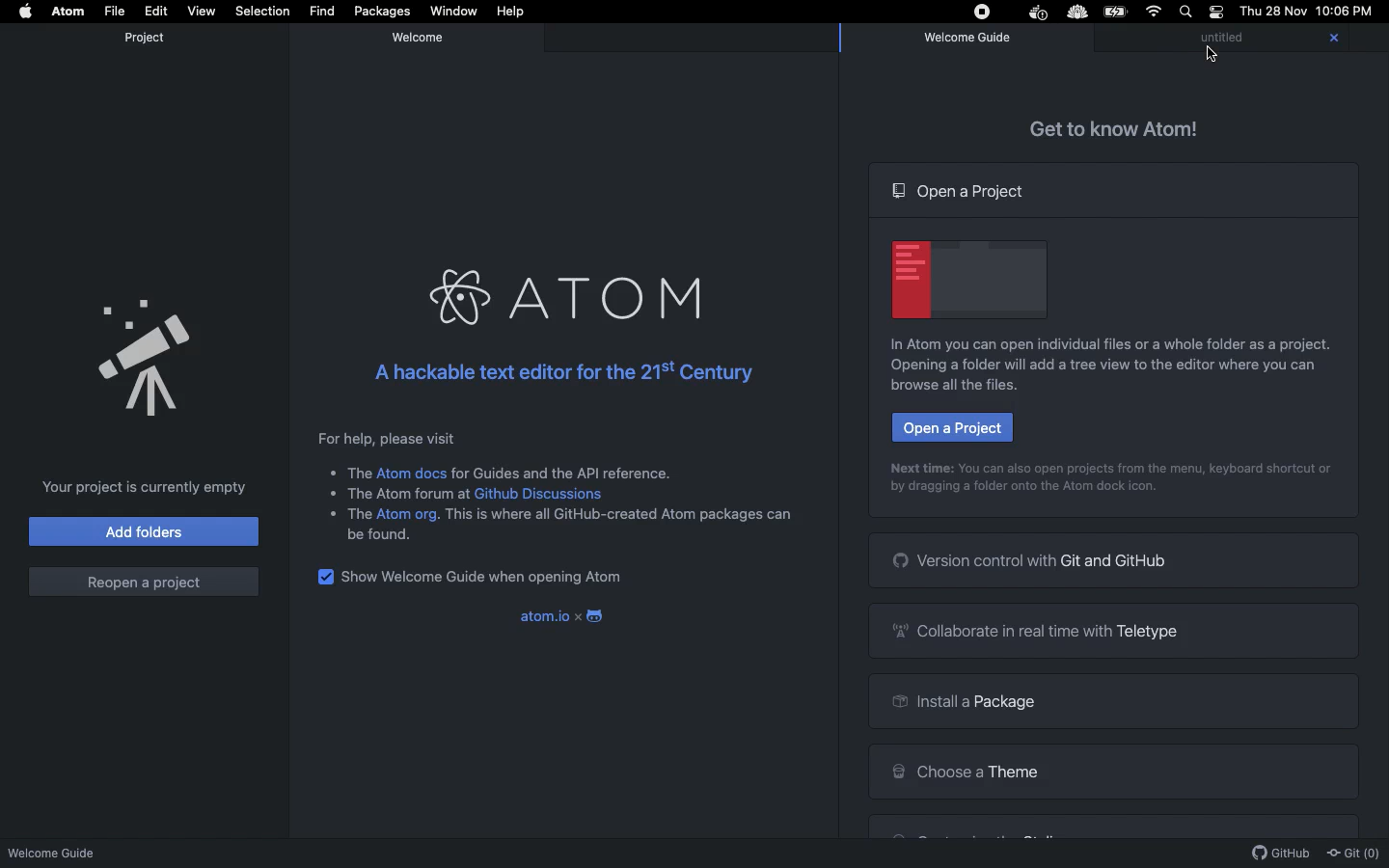 The height and width of the screenshot is (868, 1389). Describe the element at coordinates (143, 578) in the screenshot. I see `Reopen a project` at that location.